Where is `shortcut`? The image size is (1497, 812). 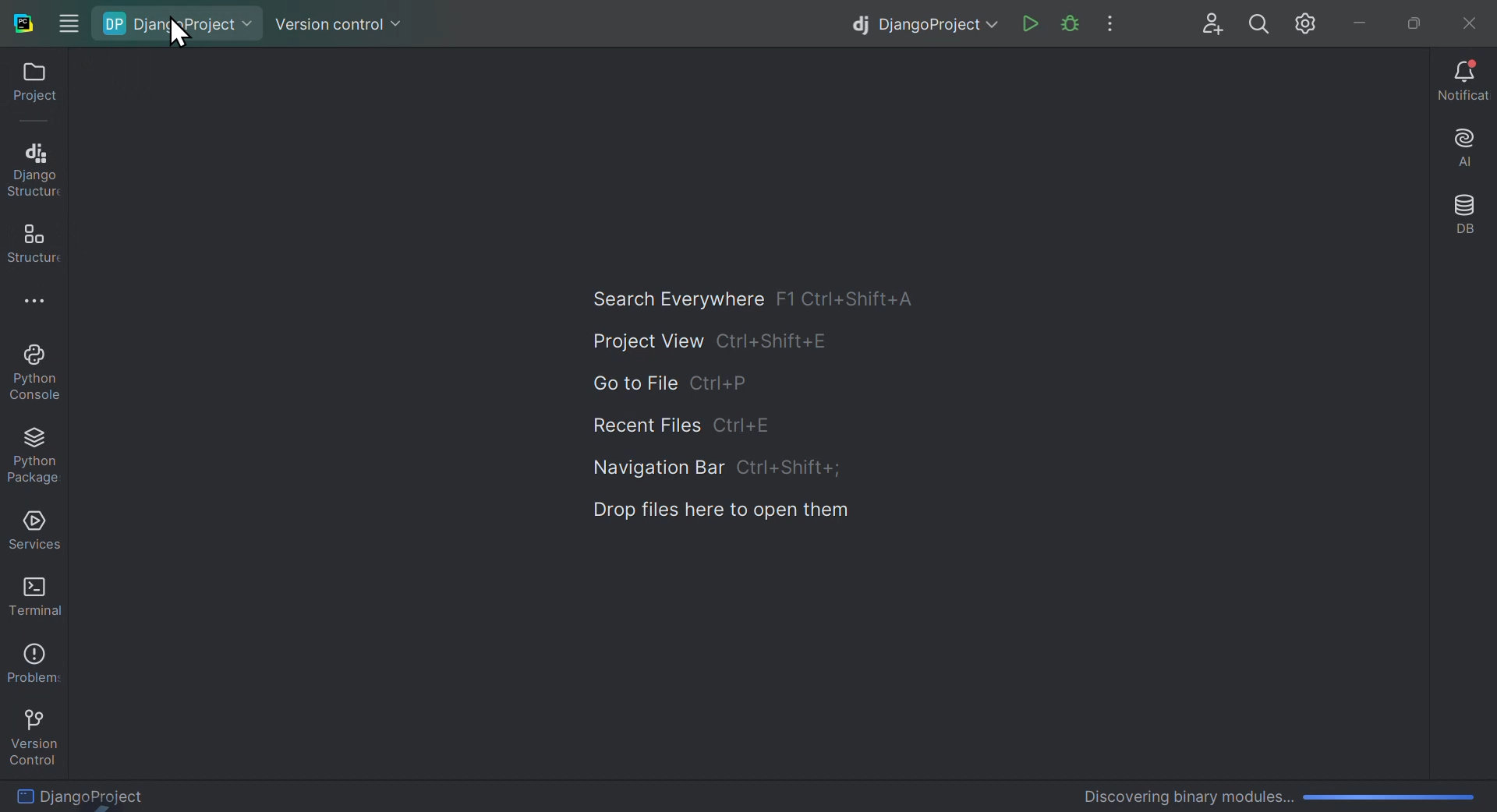
shortcut is located at coordinates (773, 341).